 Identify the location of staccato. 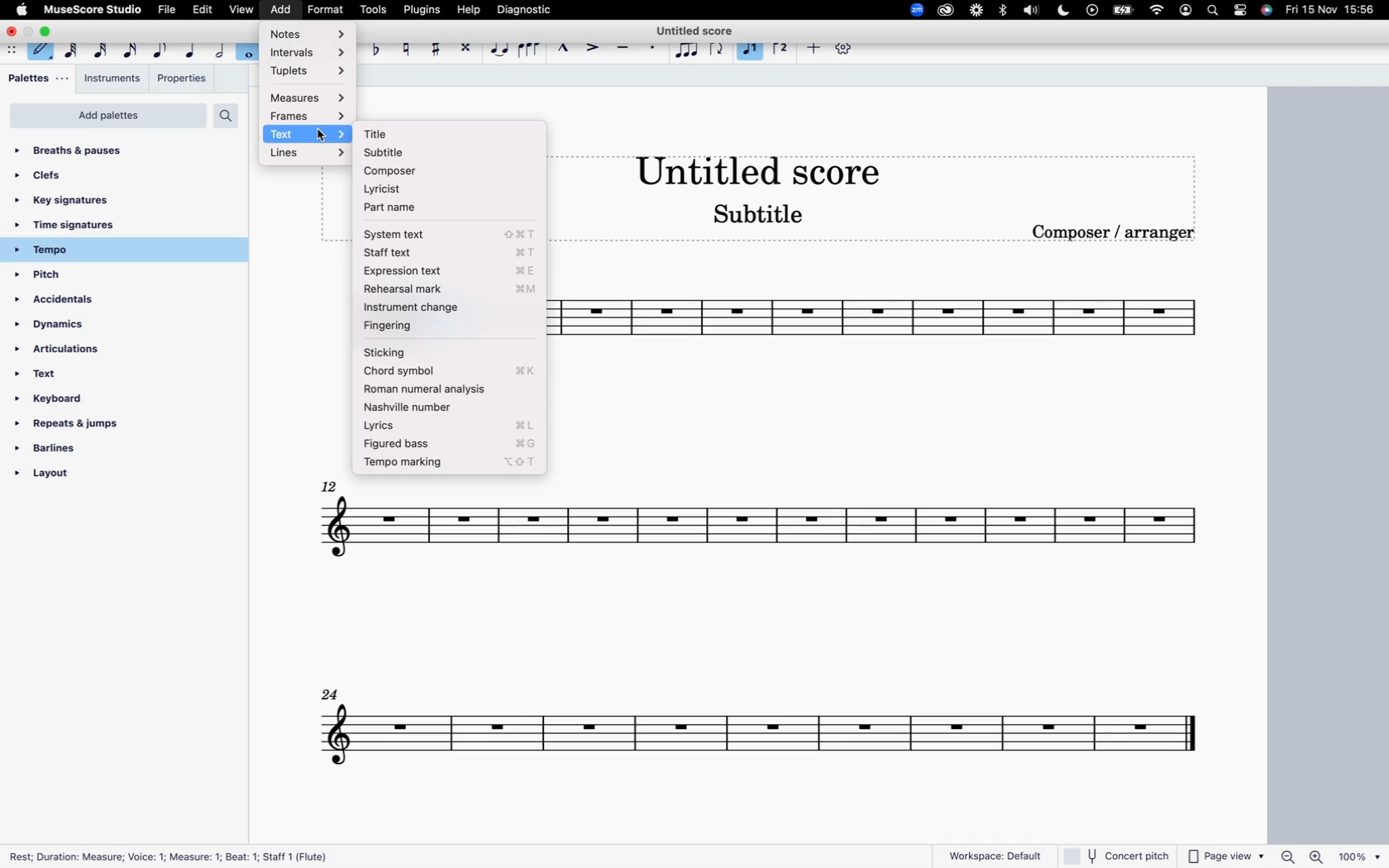
(654, 46).